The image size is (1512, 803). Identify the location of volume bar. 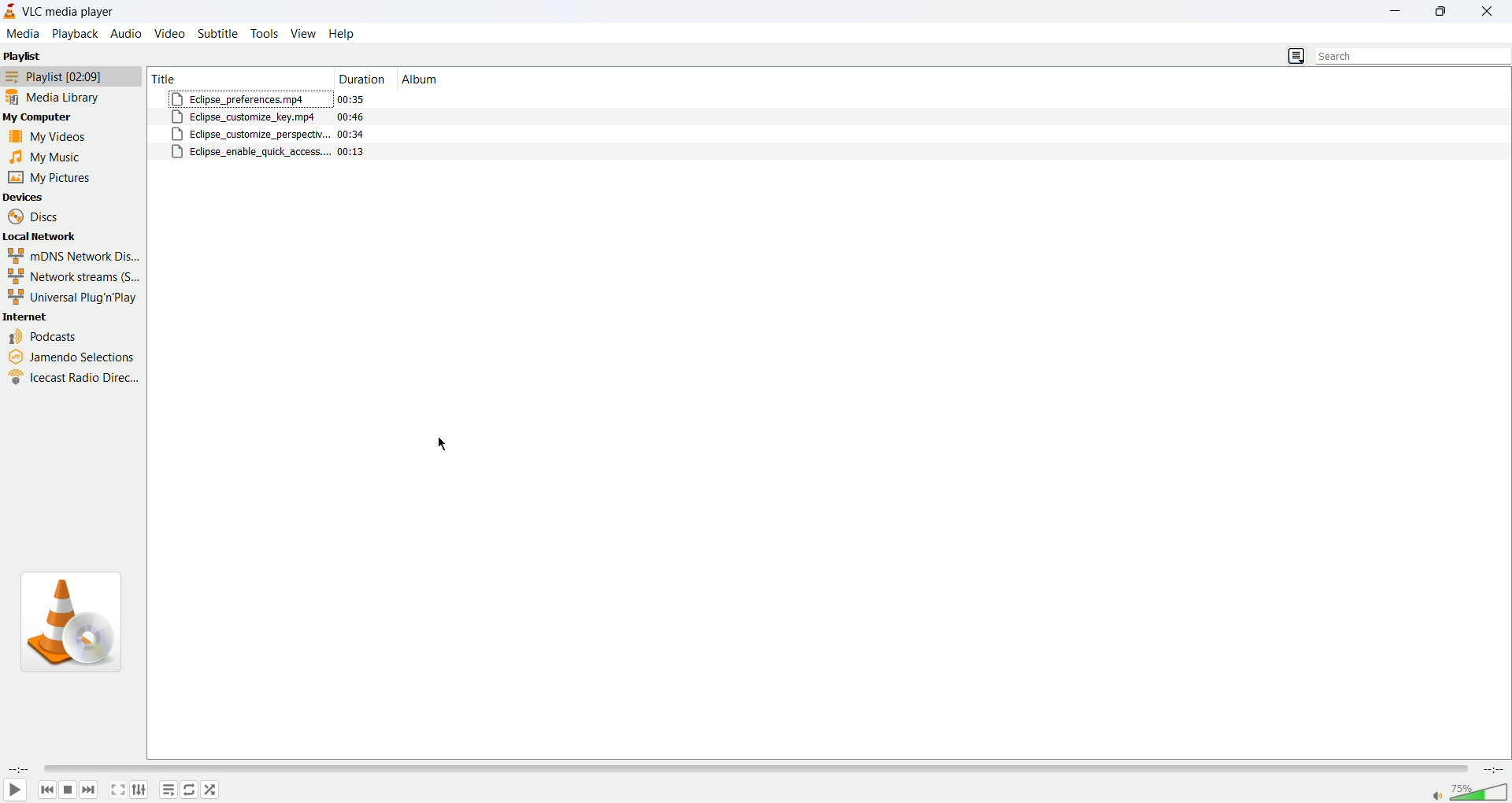
(1480, 793).